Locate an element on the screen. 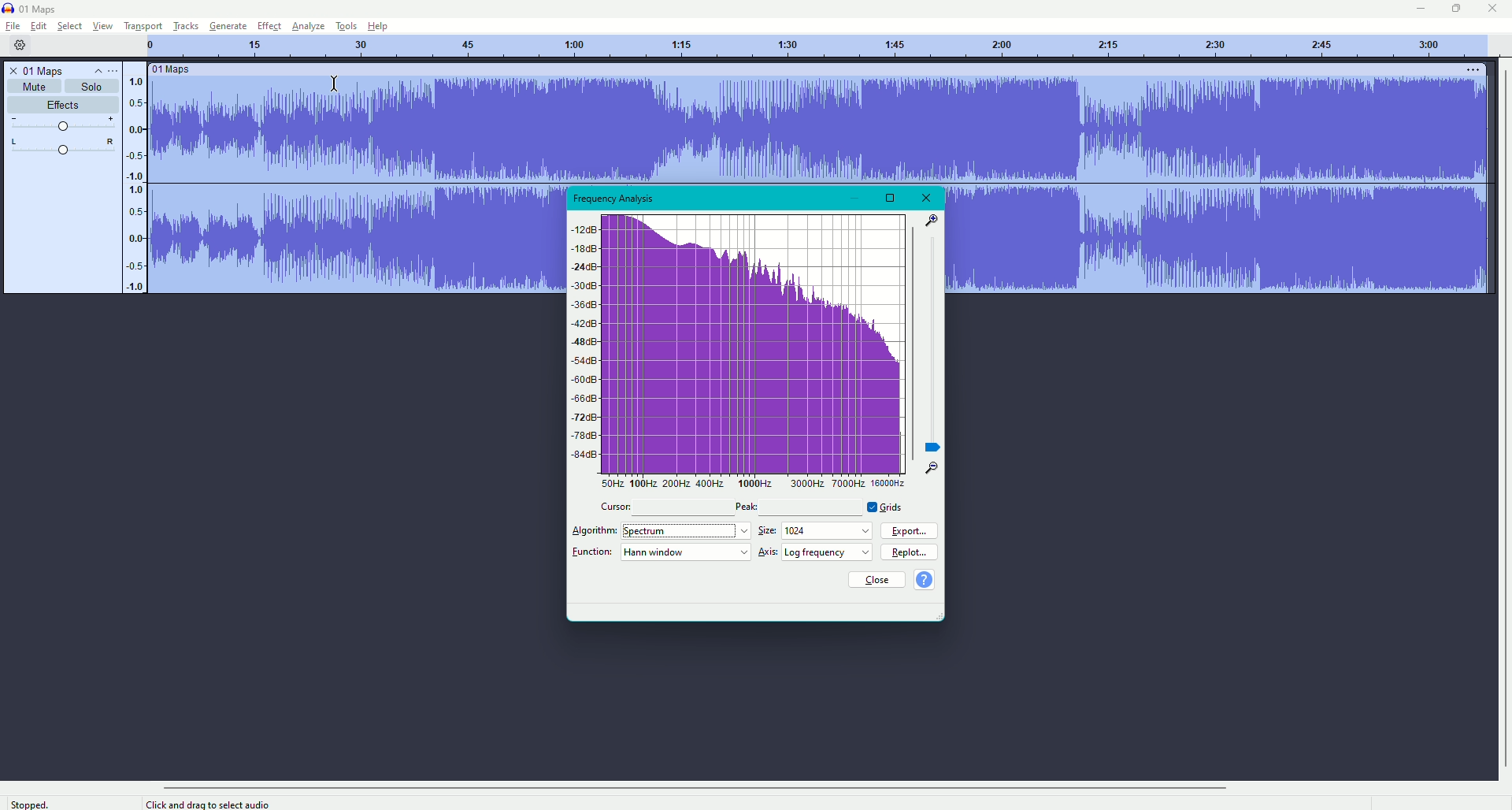 The height and width of the screenshot is (810, 1512). horizontal scrollbar is located at coordinates (693, 787).